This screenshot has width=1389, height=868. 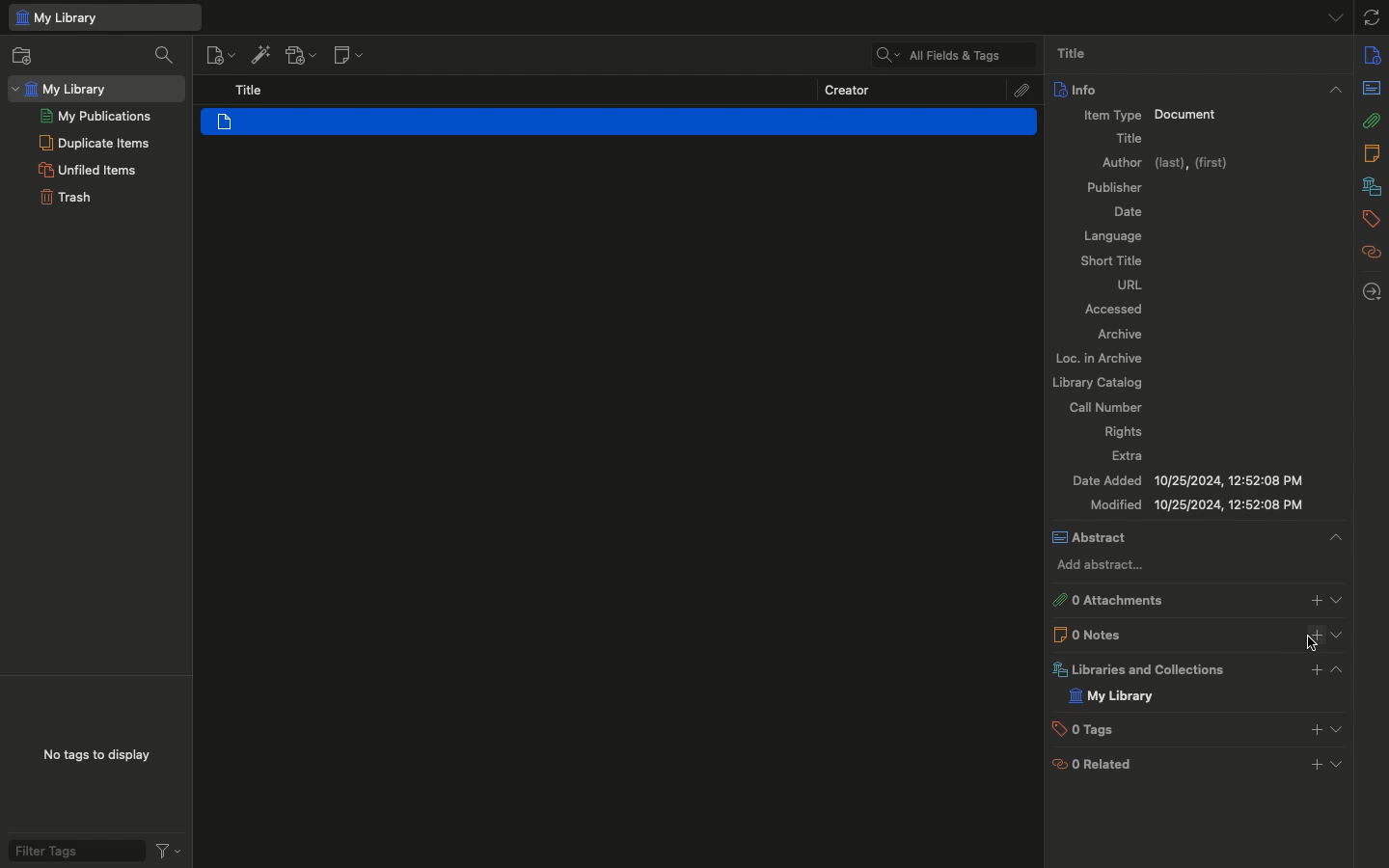 What do you see at coordinates (1373, 88) in the screenshot?
I see `Abstract` at bounding box center [1373, 88].